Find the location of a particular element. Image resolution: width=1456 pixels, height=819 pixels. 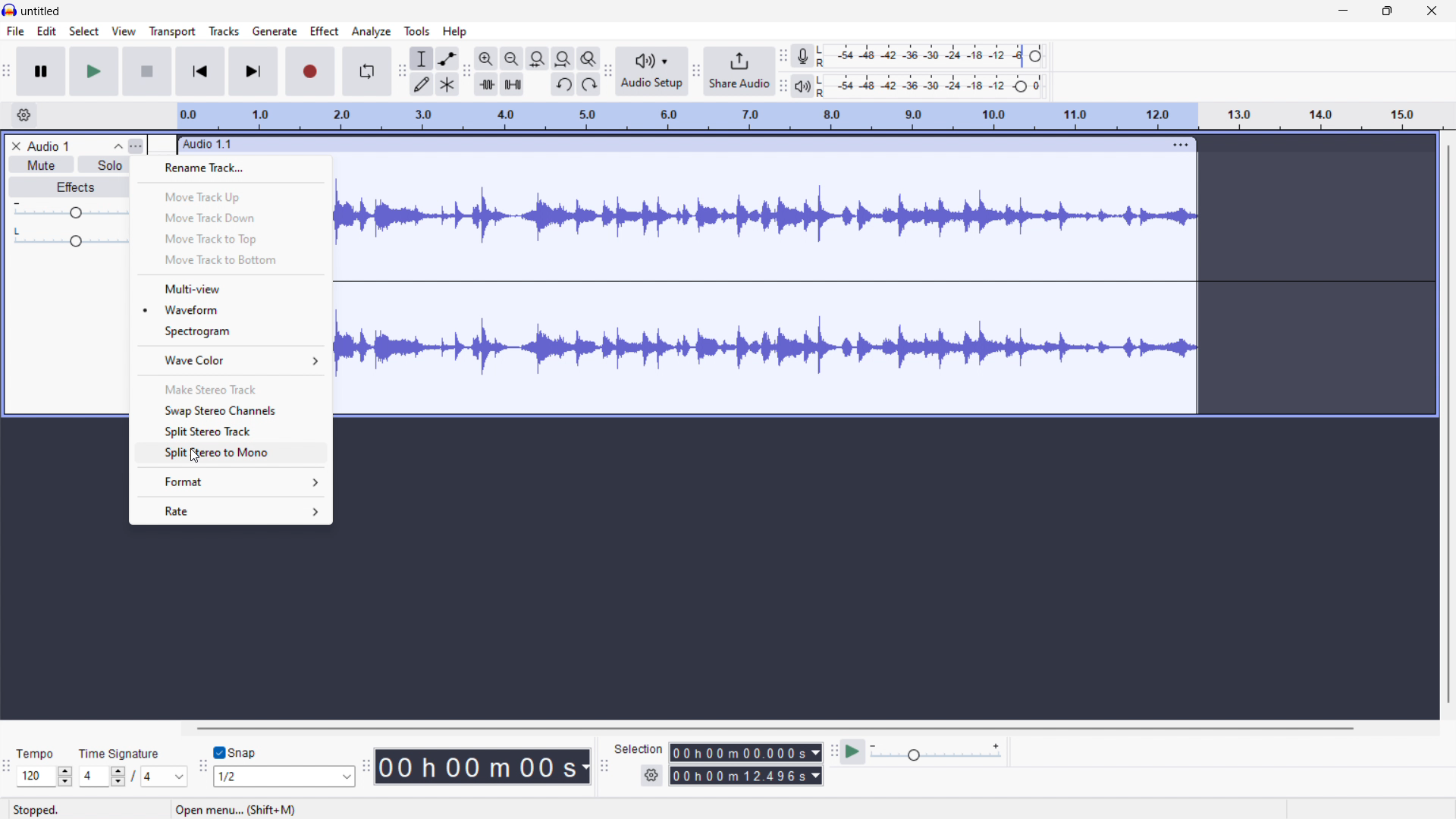

trim audio outside selection is located at coordinates (486, 85).